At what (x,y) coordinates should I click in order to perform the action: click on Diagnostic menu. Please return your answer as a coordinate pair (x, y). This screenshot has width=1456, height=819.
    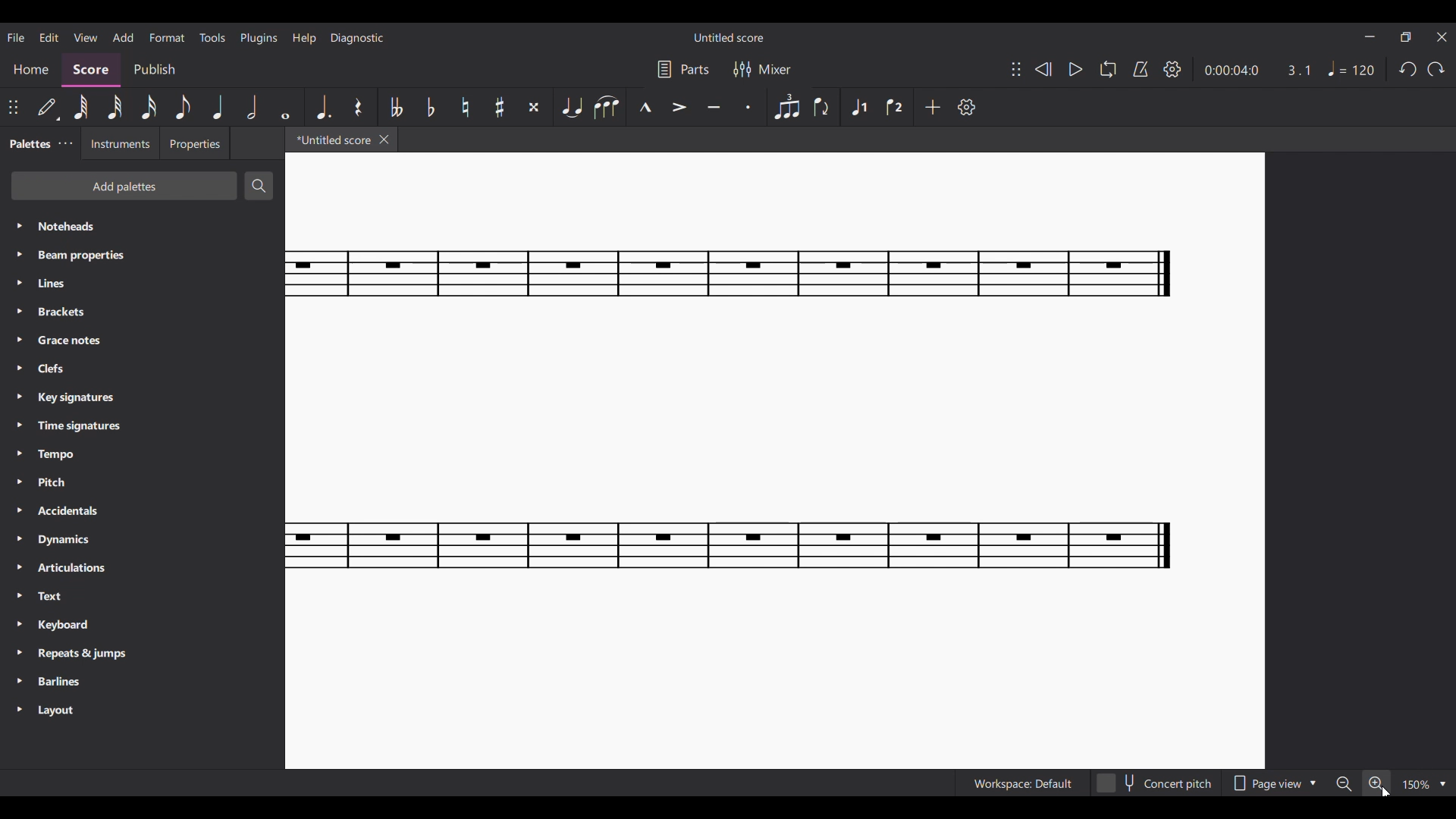
    Looking at the image, I should click on (356, 39).